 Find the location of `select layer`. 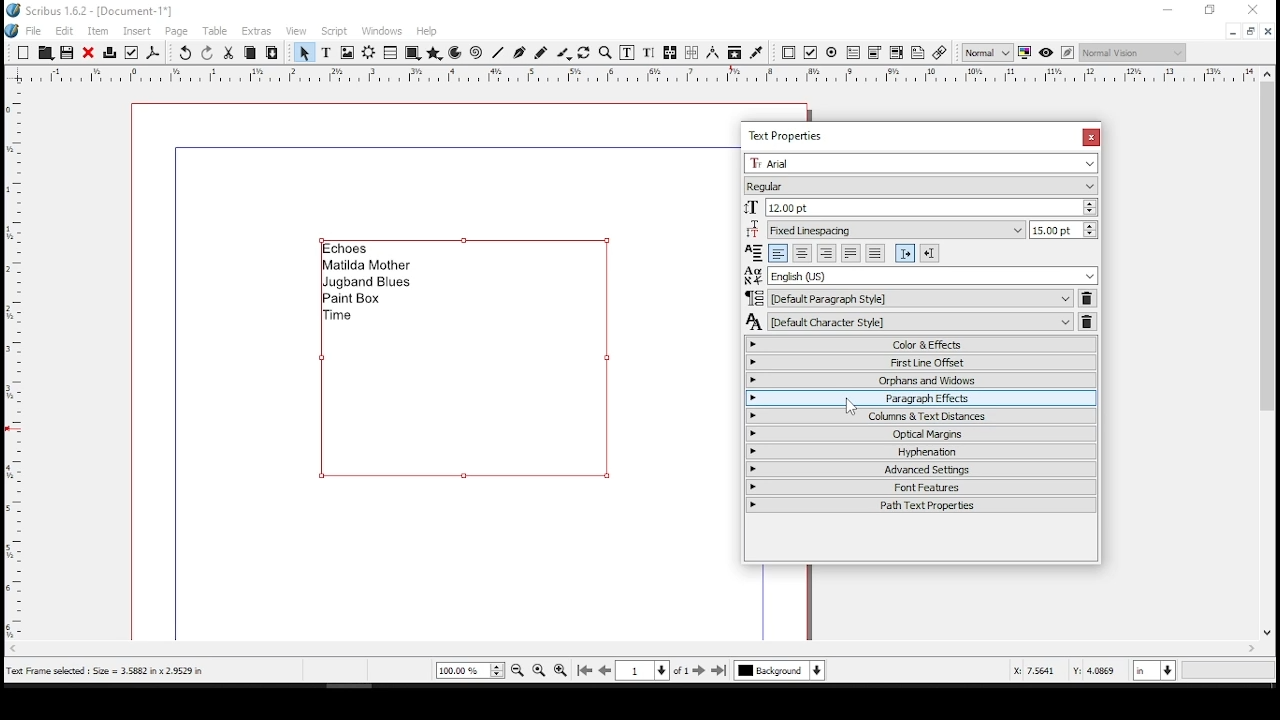

select layer is located at coordinates (780, 670).